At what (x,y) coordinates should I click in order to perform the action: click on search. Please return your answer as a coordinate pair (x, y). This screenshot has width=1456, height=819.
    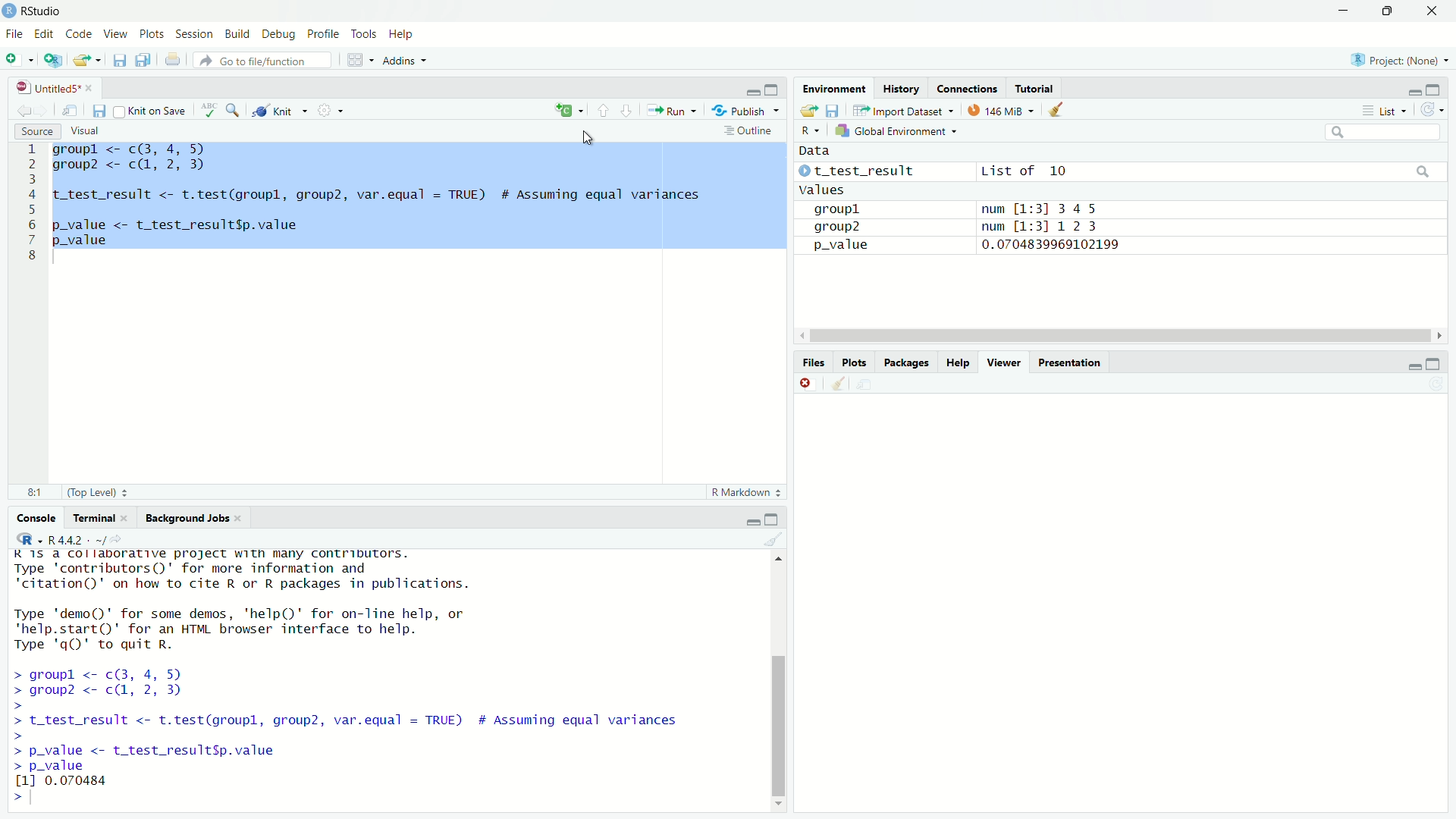
    Looking at the image, I should click on (1379, 132).